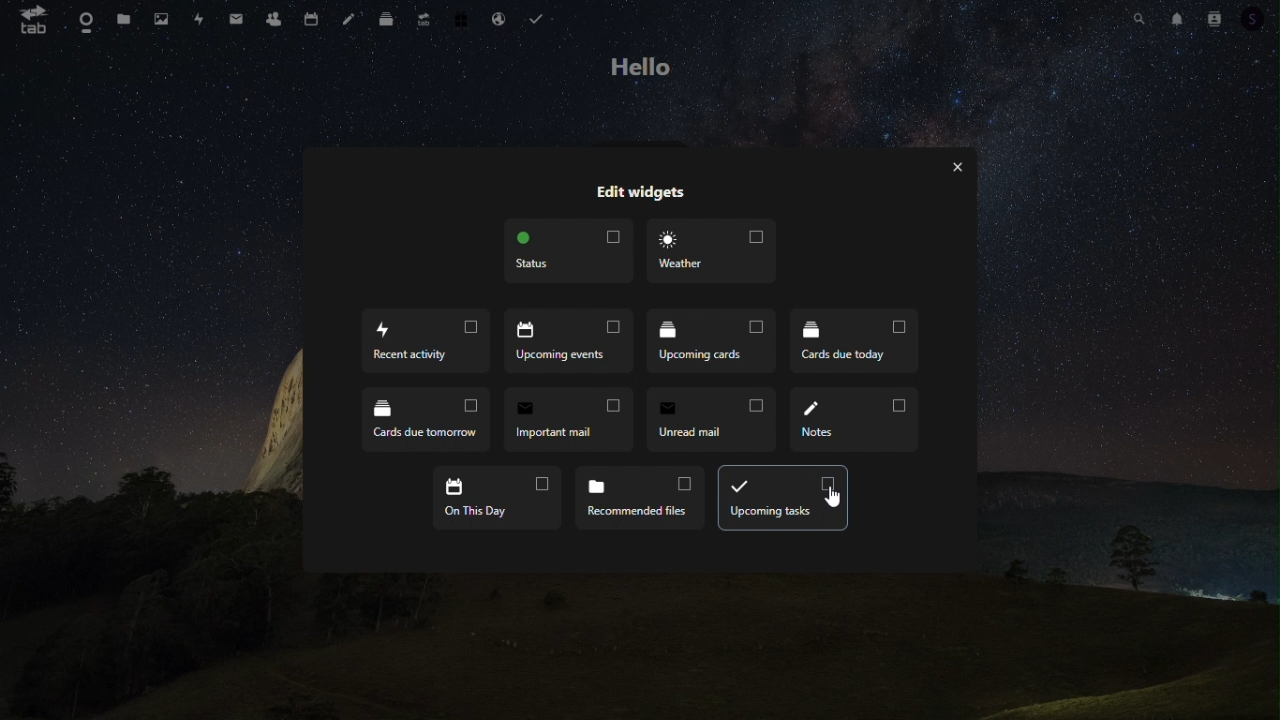 The width and height of the screenshot is (1280, 720). I want to click on Account icon, so click(1255, 19).